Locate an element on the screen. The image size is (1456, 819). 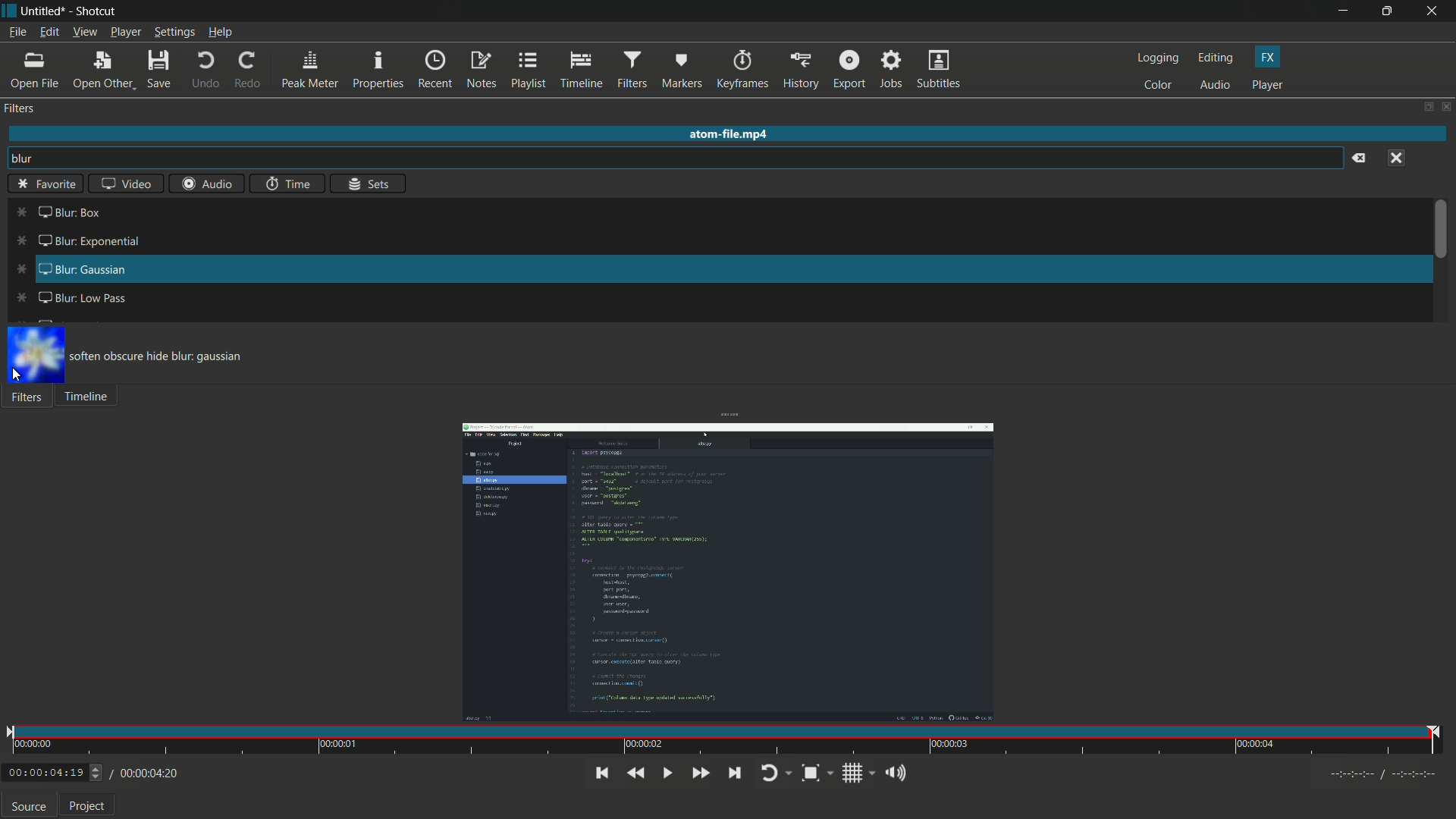
filters is located at coordinates (20, 109).